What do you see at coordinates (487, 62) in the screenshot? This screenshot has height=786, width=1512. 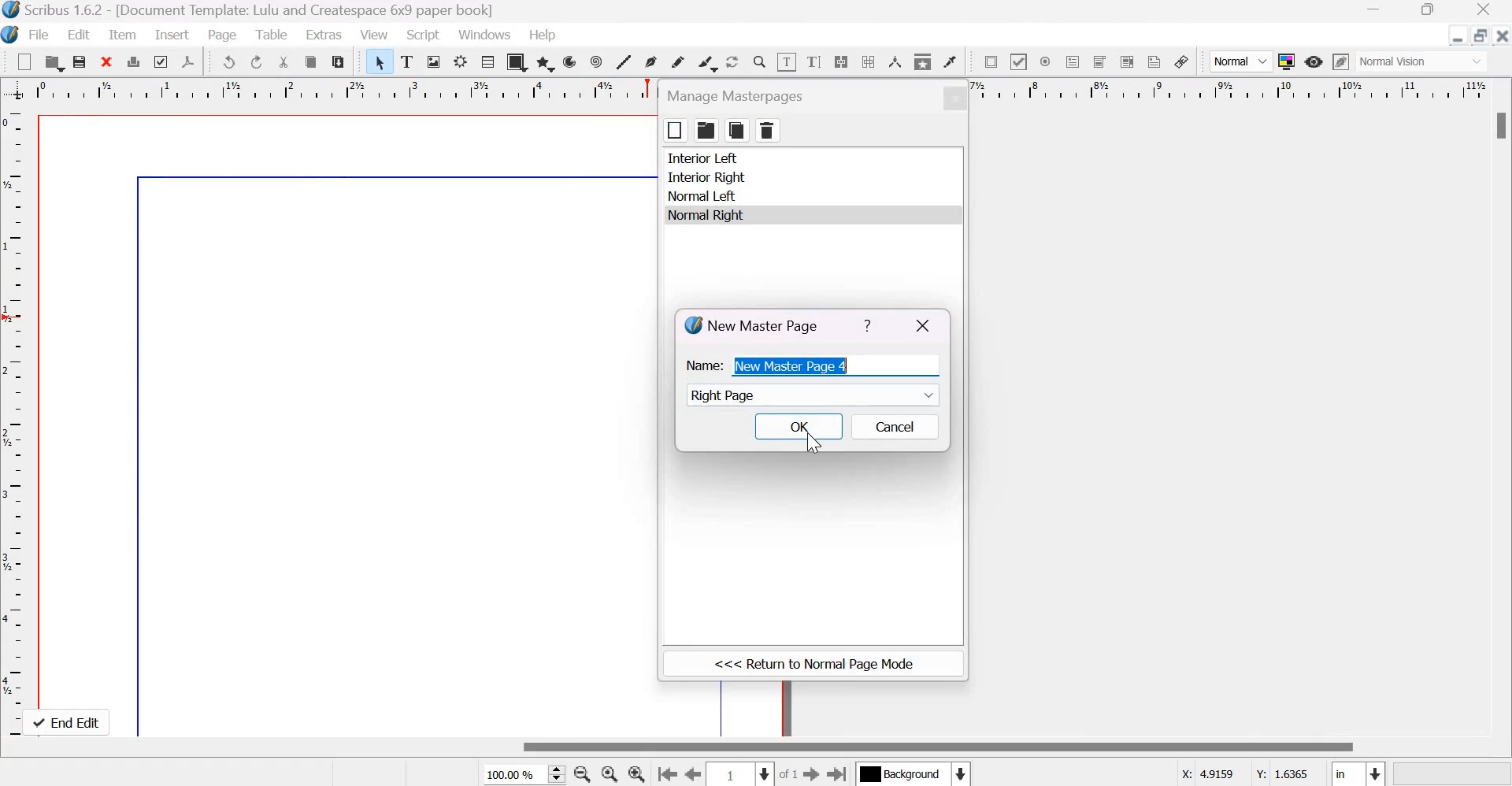 I see `Table` at bounding box center [487, 62].